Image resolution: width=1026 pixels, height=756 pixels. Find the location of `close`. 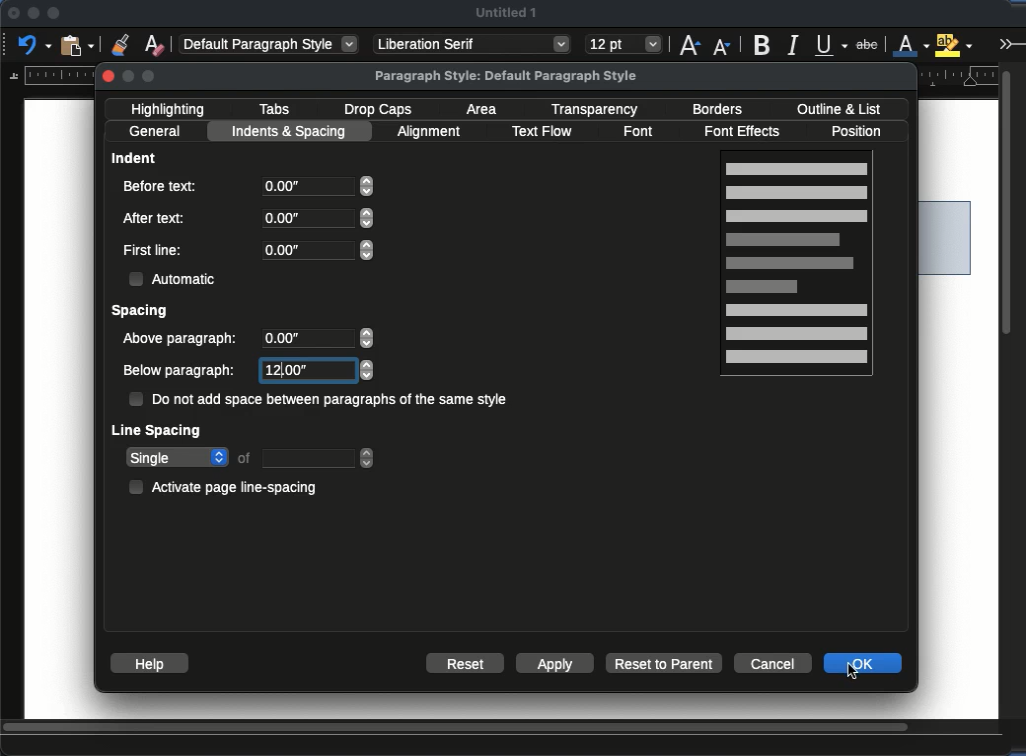

close is located at coordinates (12, 14).